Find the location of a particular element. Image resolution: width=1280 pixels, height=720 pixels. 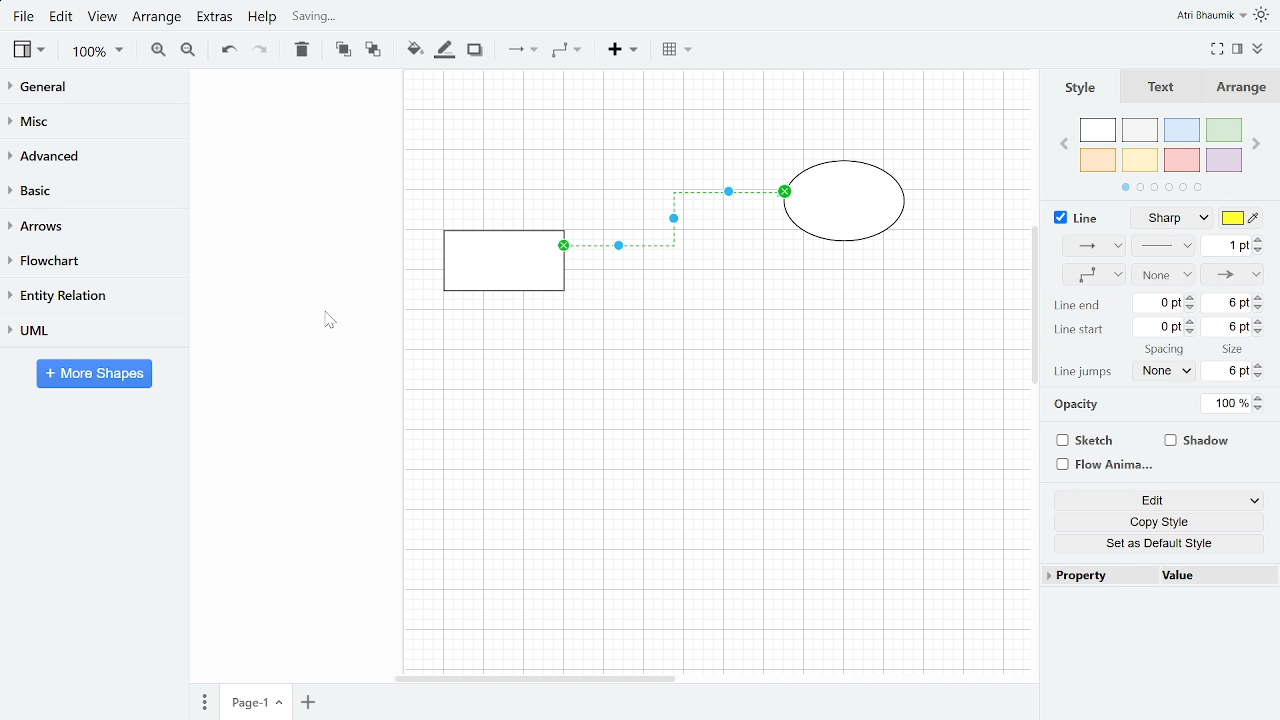

Decrease line jump spacing is located at coordinates (1262, 376).